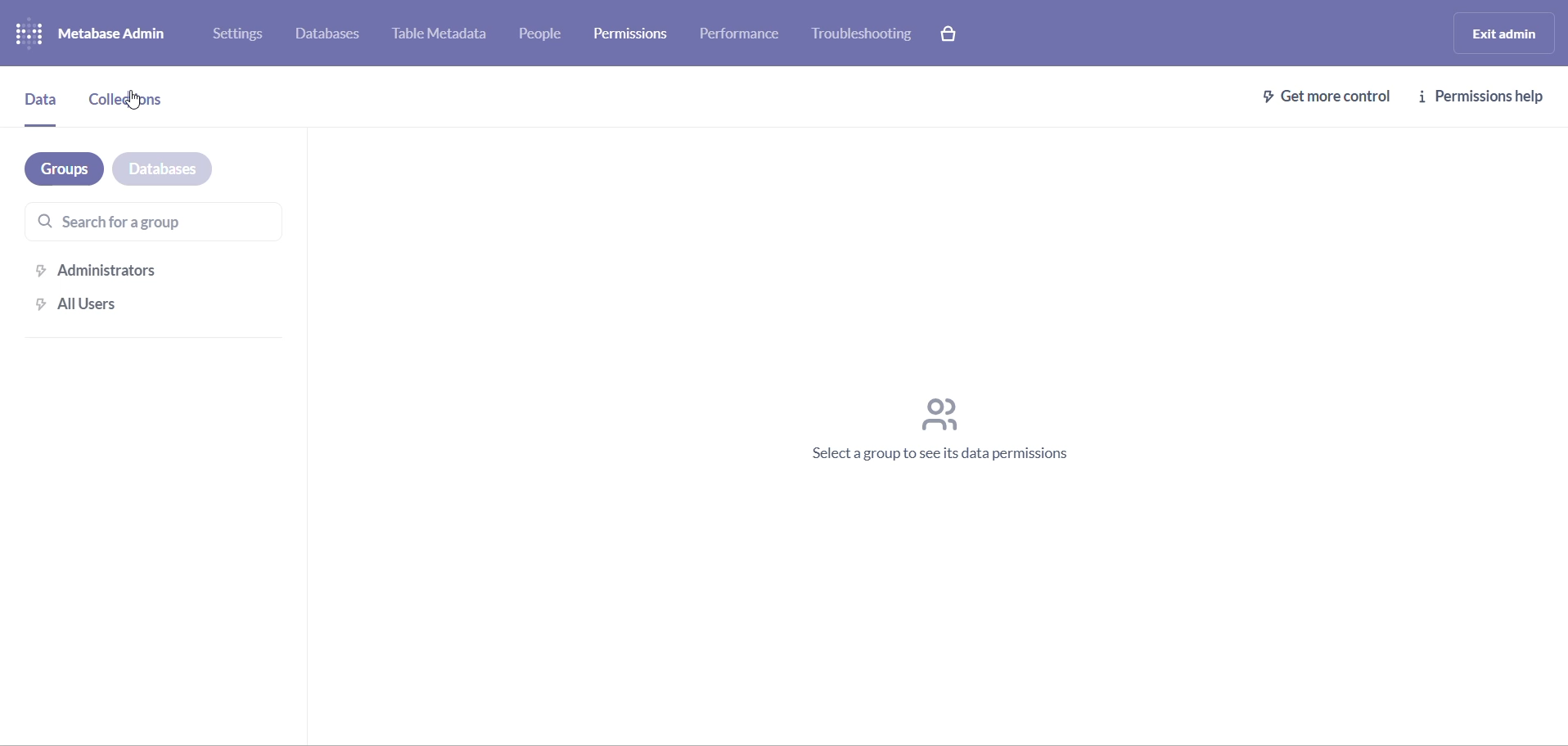 This screenshot has height=746, width=1568. Describe the element at coordinates (127, 272) in the screenshot. I see `administration` at that location.